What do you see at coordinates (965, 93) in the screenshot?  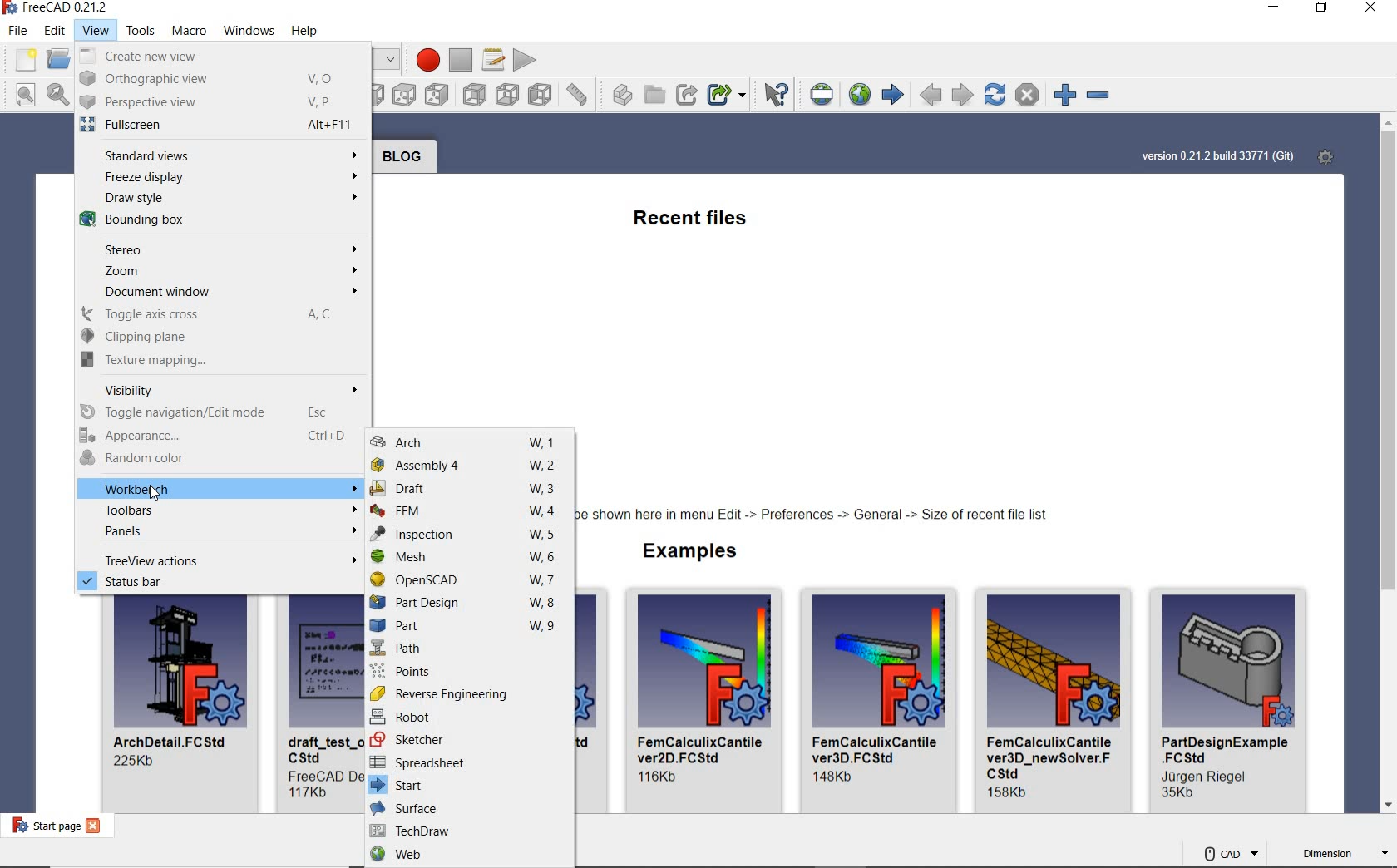 I see `next page` at bounding box center [965, 93].